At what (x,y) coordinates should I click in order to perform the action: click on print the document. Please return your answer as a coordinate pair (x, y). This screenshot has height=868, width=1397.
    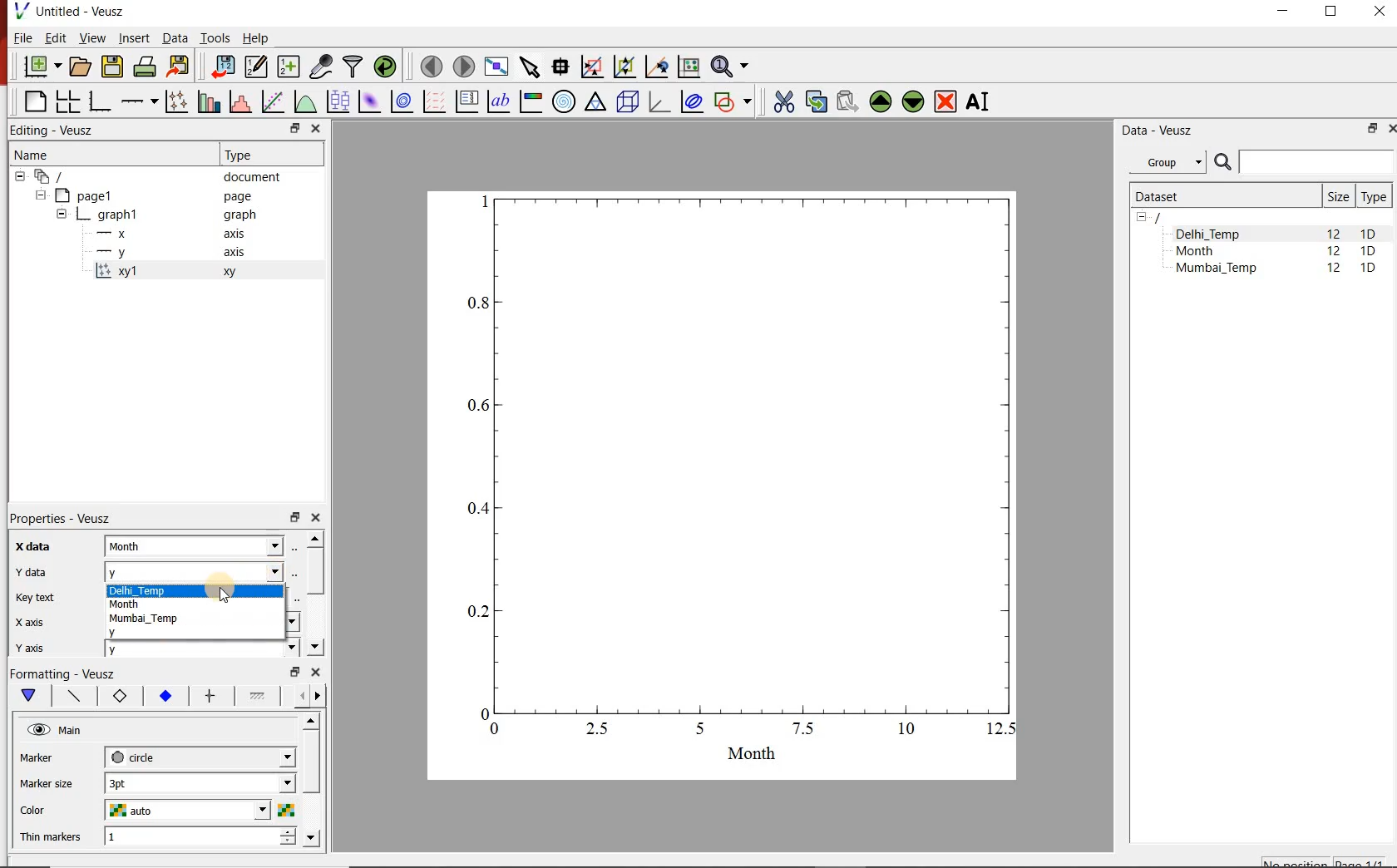
    Looking at the image, I should click on (145, 67).